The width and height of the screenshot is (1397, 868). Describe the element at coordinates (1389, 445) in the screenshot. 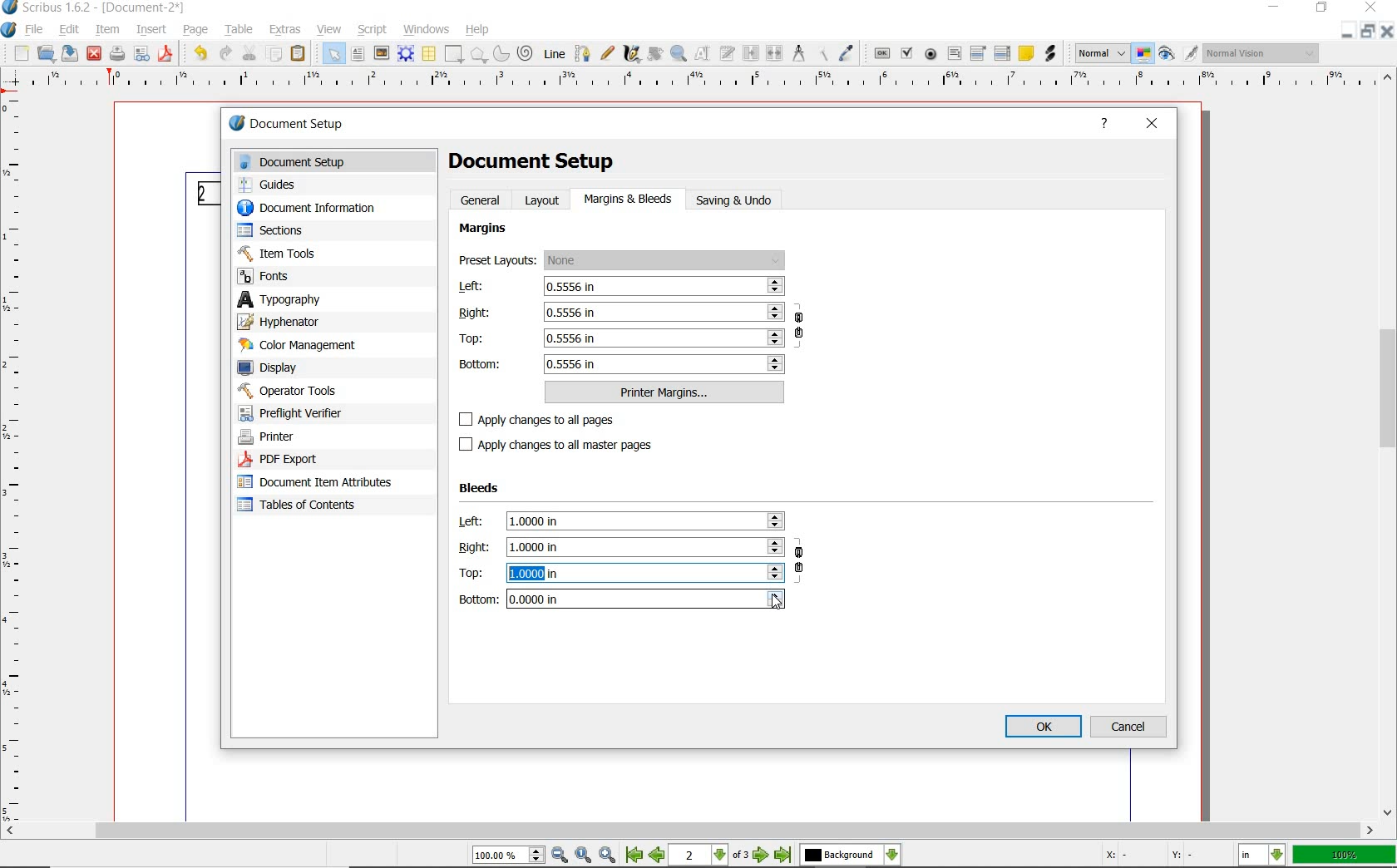

I see `scrollbar` at that location.